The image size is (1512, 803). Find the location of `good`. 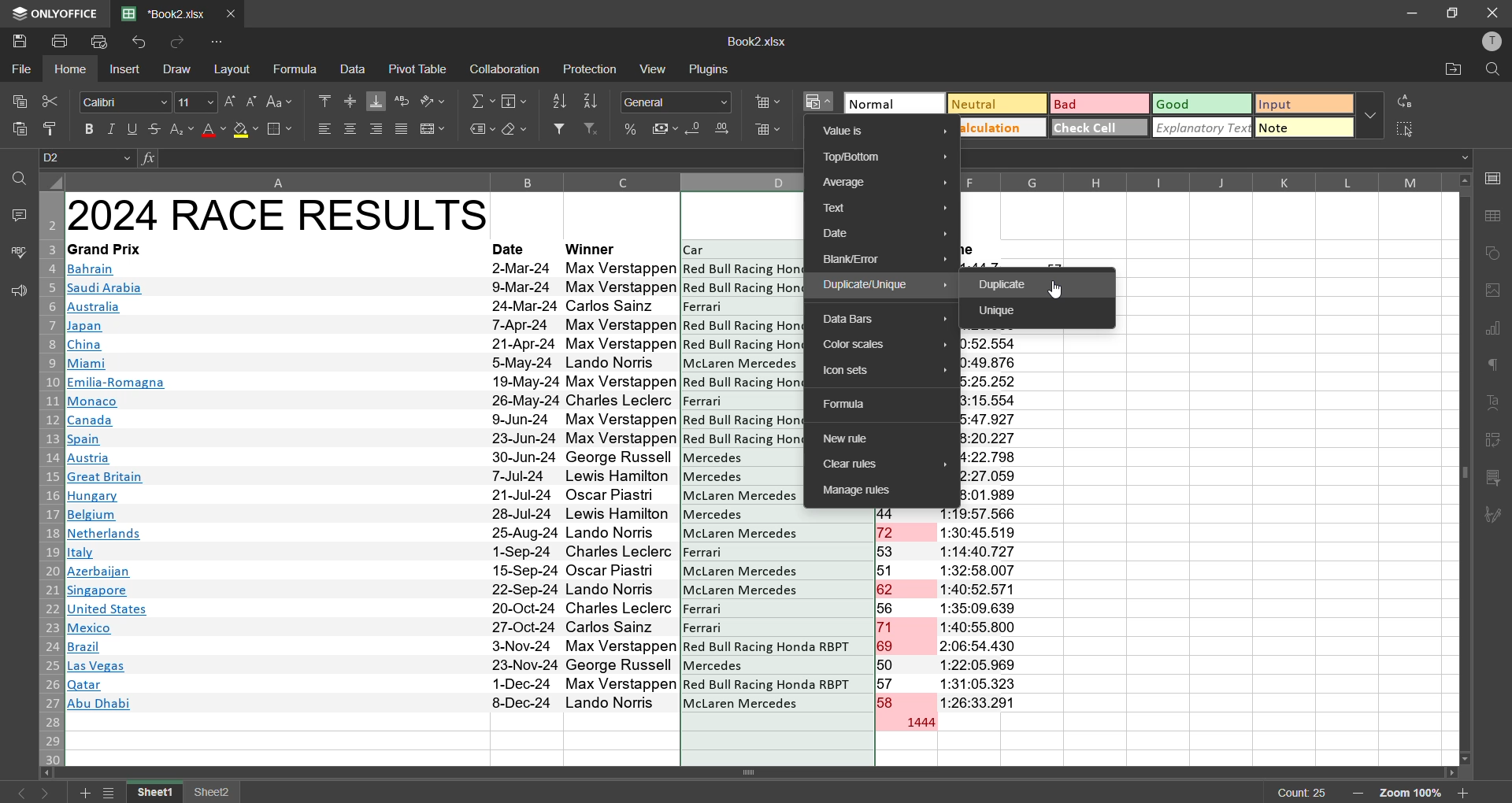

good is located at coordinates (1202, 103).